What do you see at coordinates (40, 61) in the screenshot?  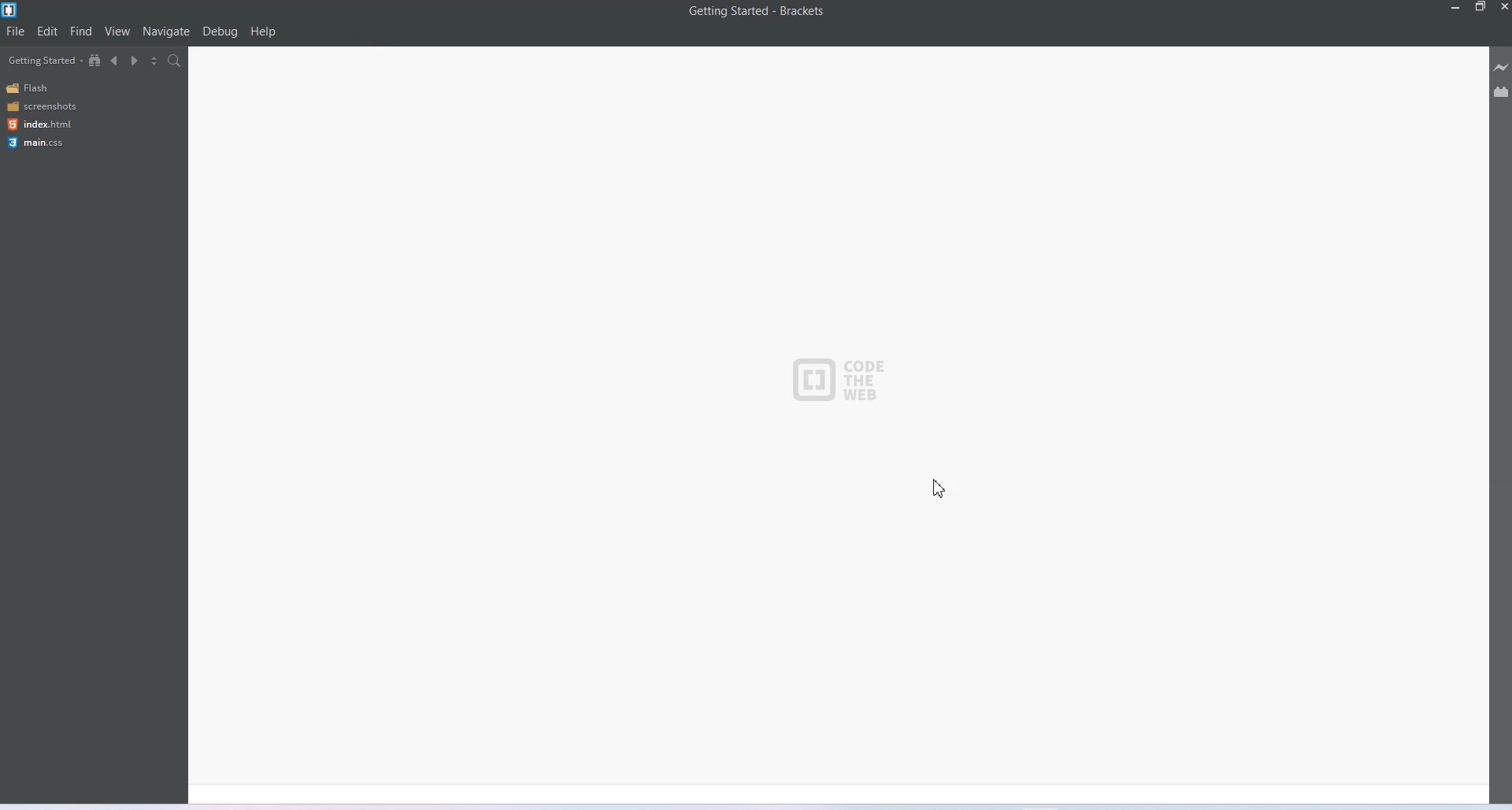 I see `Gating started` at bounding box center [40, 61].